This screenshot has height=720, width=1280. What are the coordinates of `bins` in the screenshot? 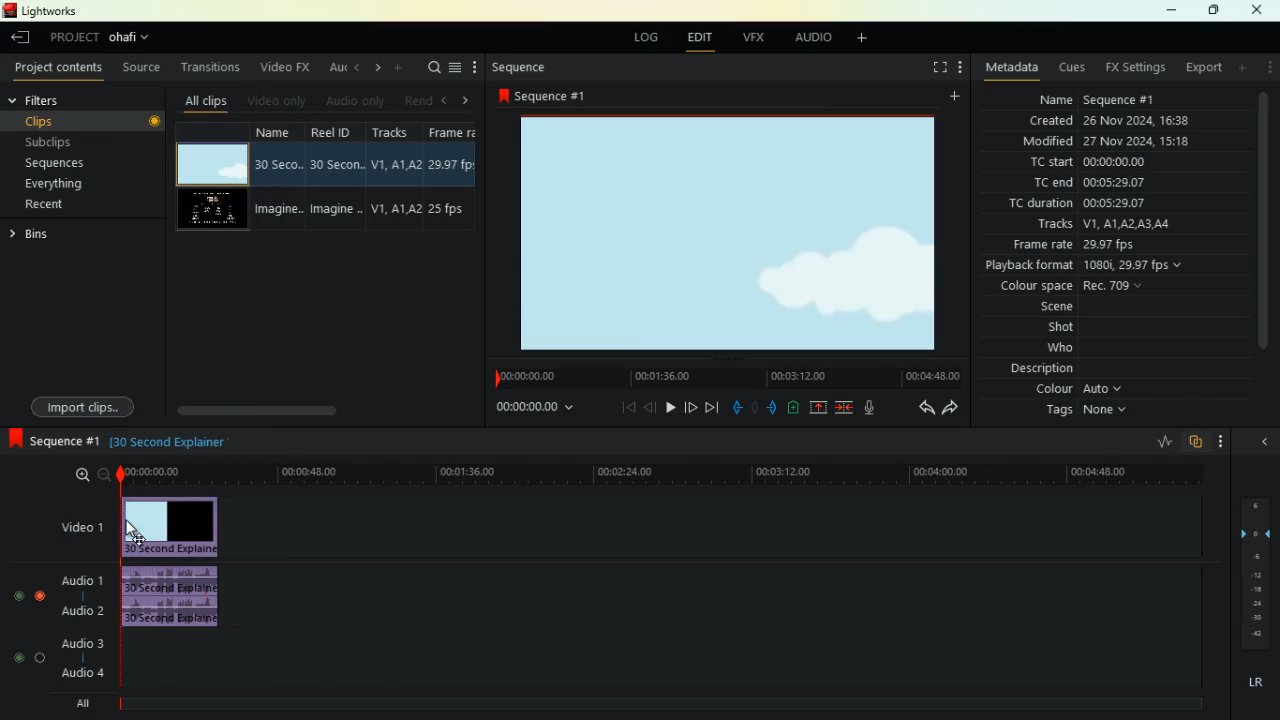 It's located at (46, 234).